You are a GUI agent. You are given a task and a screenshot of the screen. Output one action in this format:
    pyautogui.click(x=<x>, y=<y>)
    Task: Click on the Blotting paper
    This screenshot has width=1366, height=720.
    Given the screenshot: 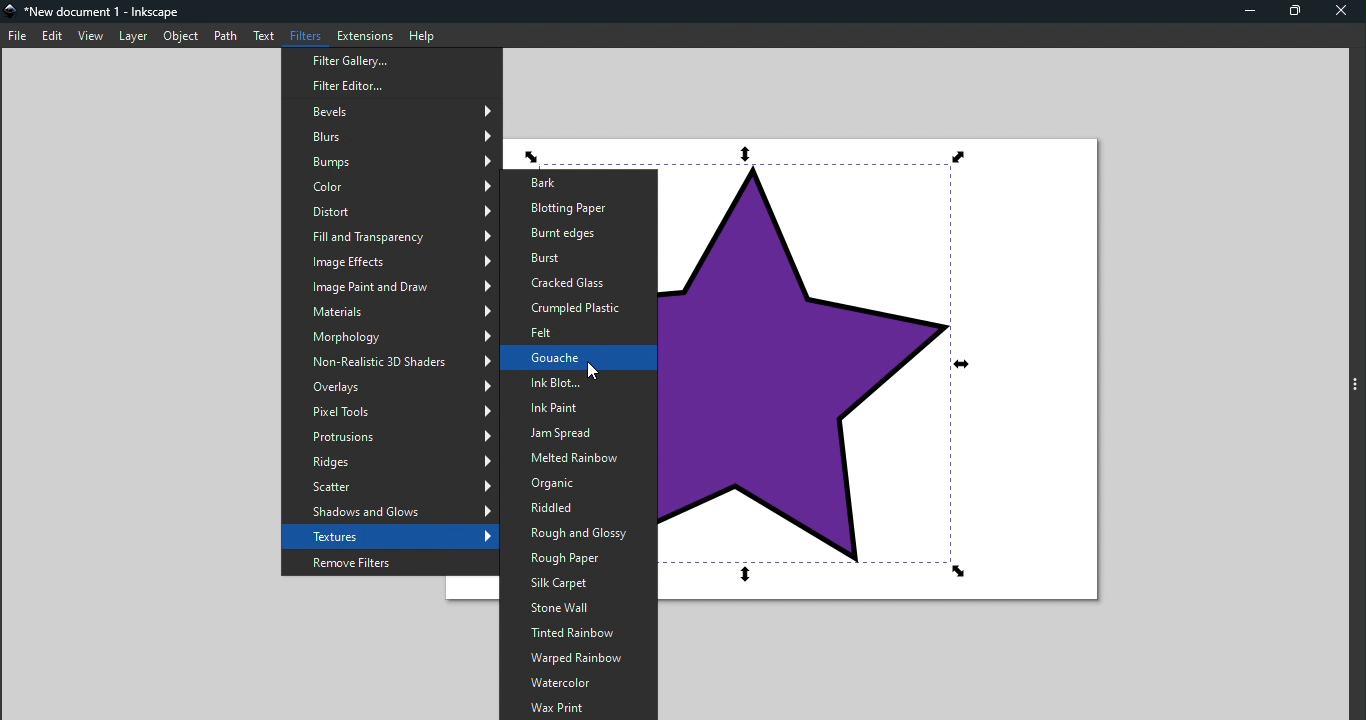 What is the action you would take?
    pyautogui.click(x=578, y=209)
    